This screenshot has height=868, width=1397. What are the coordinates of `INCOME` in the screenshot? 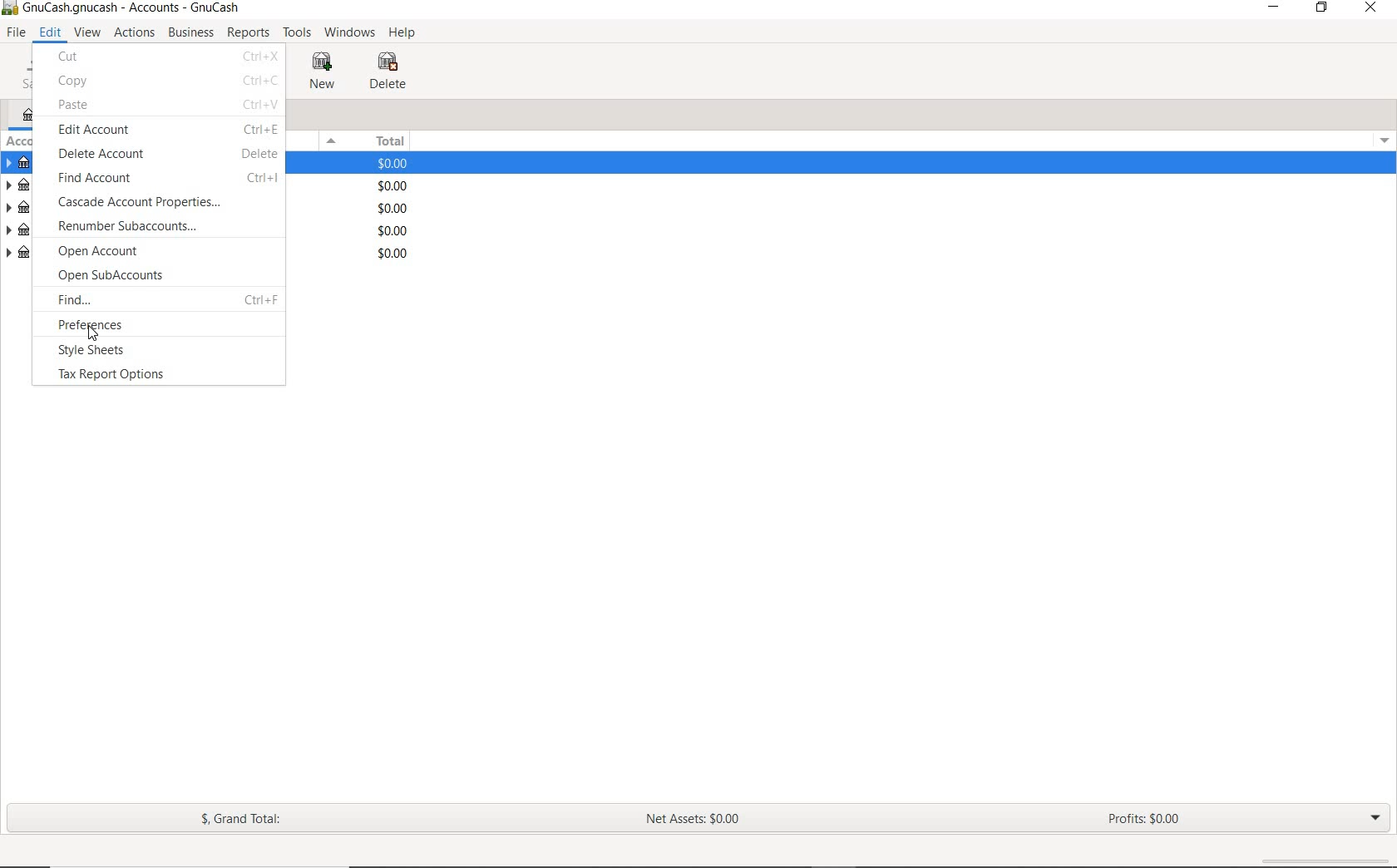 It's located at (20, 207).